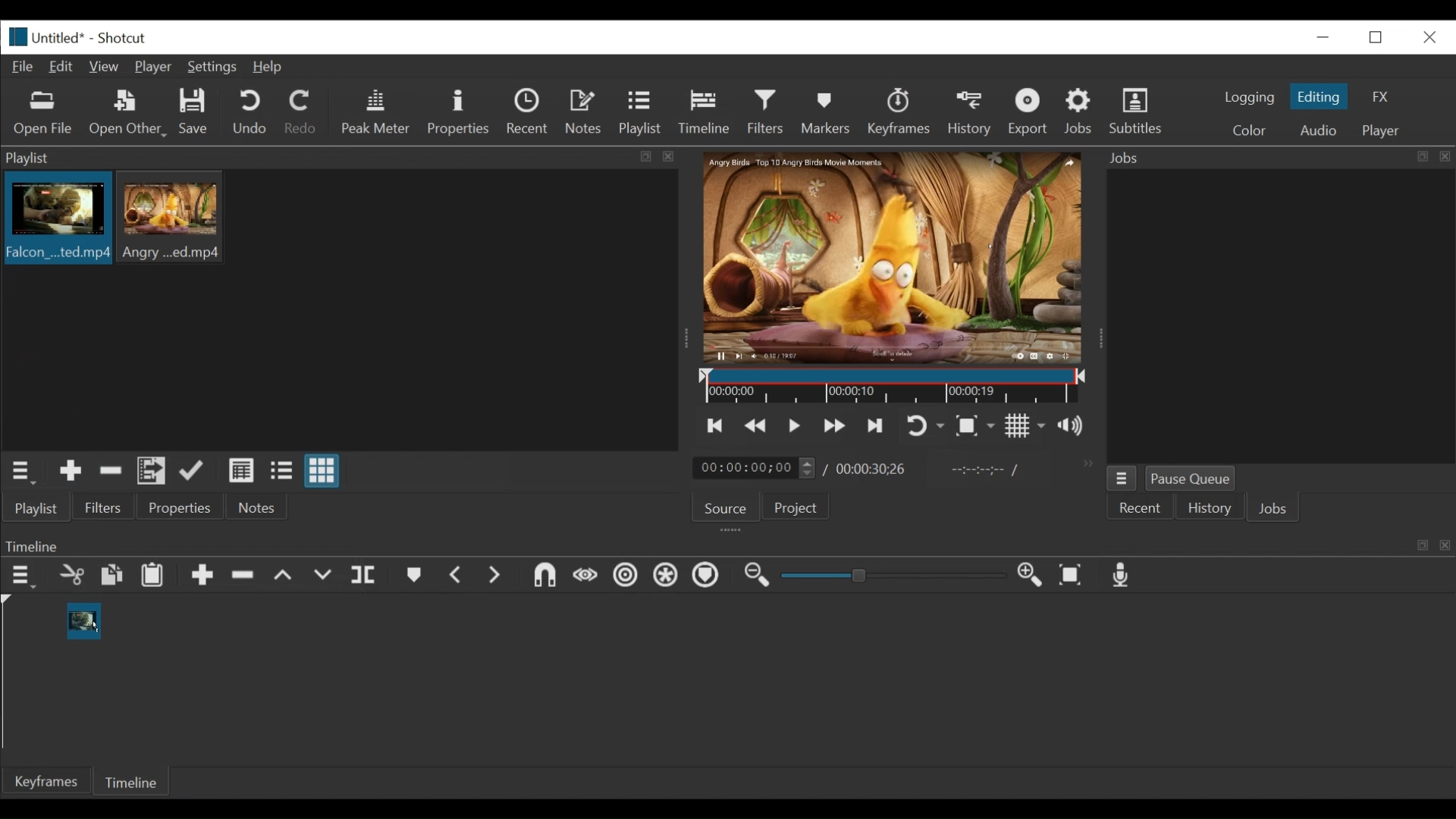 The height and width of the screenshot is (819, 1456). Describe the element at coordinates (285, 577) in the screenshot. I see `lift` at that location.